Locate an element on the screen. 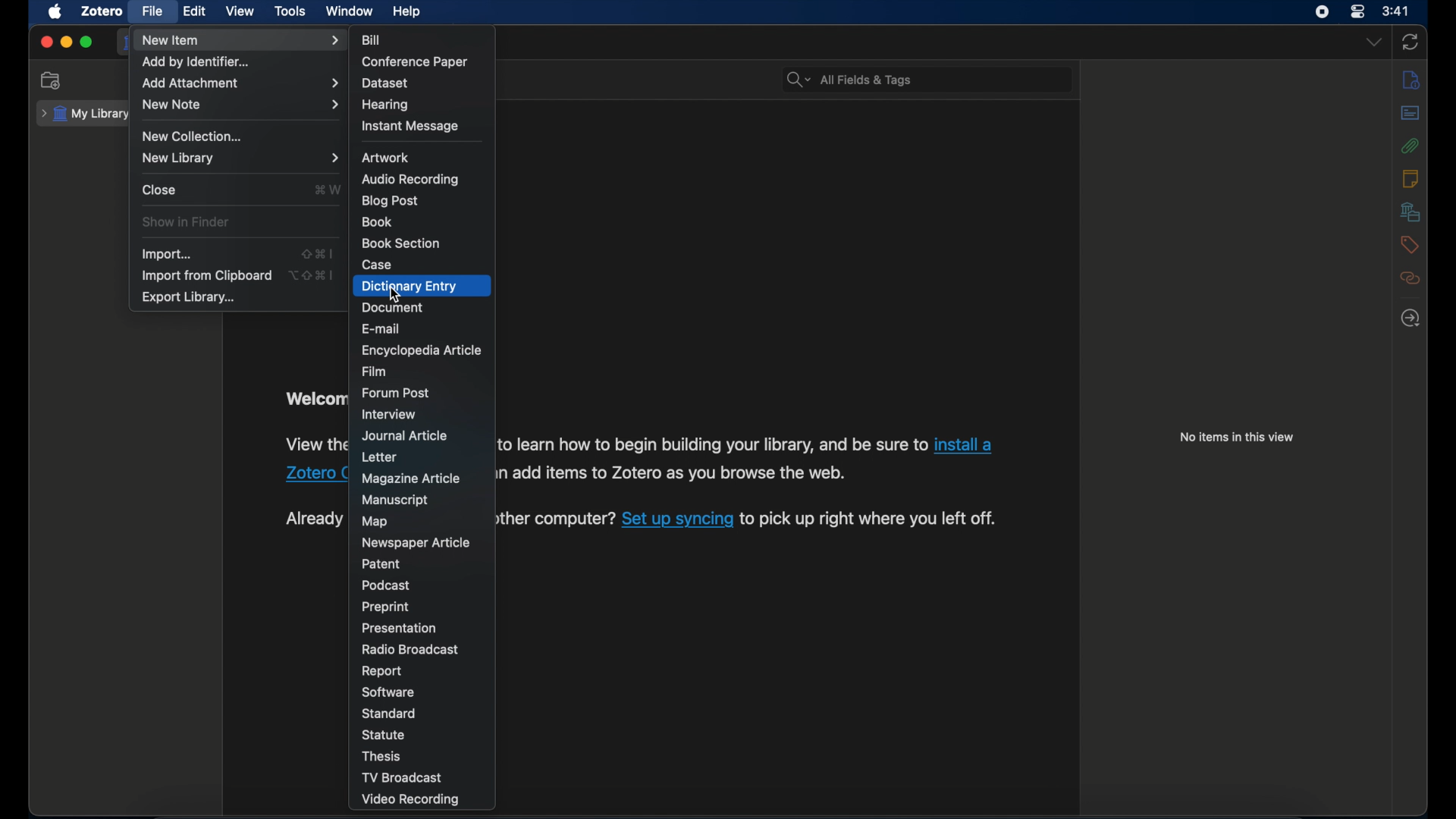  document is located at coordinates (391, 307).